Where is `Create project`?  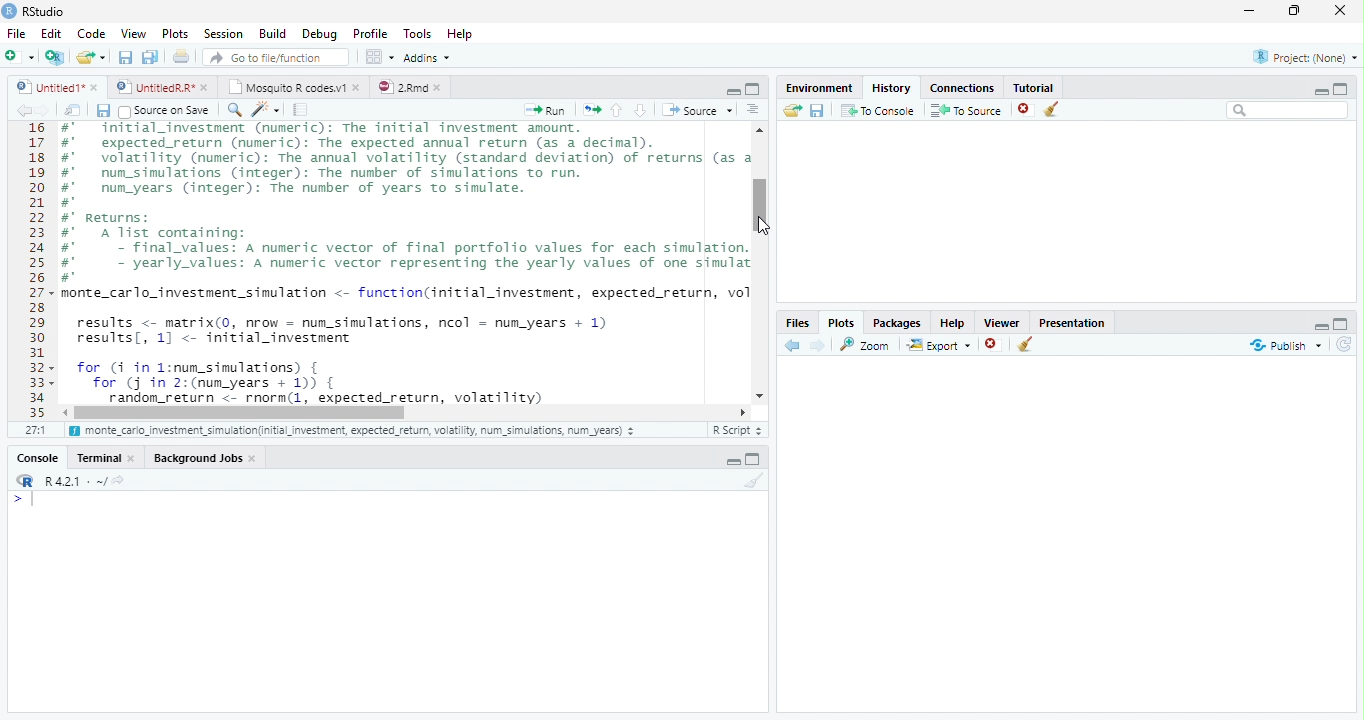
Create project is located at coordinates (54, 57).